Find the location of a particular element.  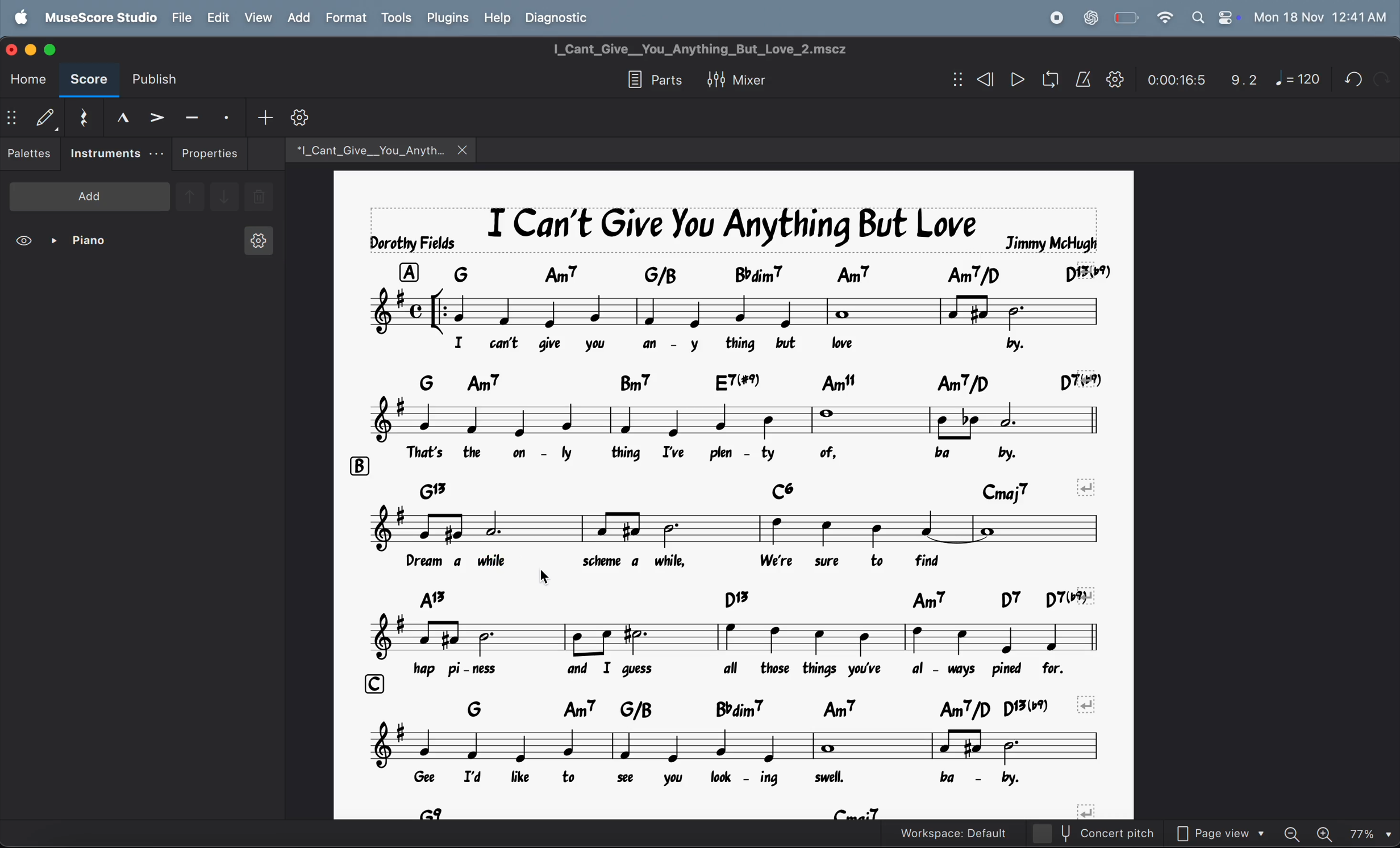

format is located at coordinates (348, 19).